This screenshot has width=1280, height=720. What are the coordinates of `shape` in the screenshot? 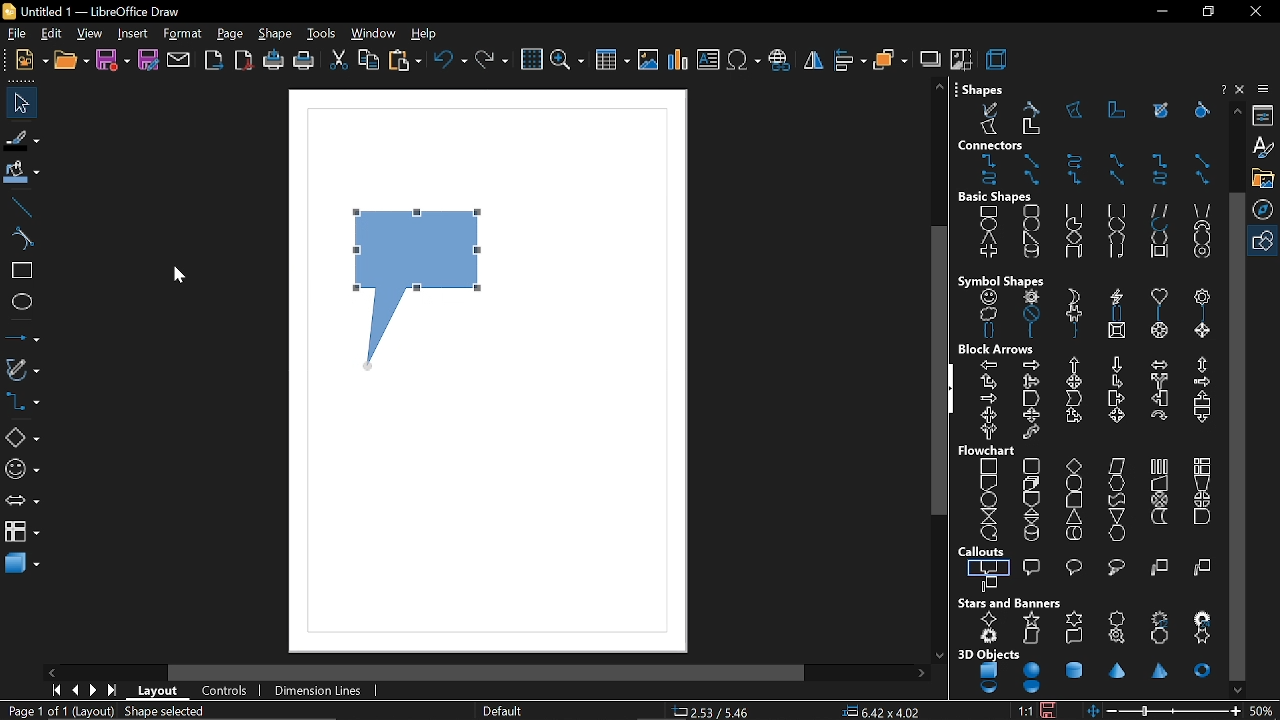 It's located at (277, 35).